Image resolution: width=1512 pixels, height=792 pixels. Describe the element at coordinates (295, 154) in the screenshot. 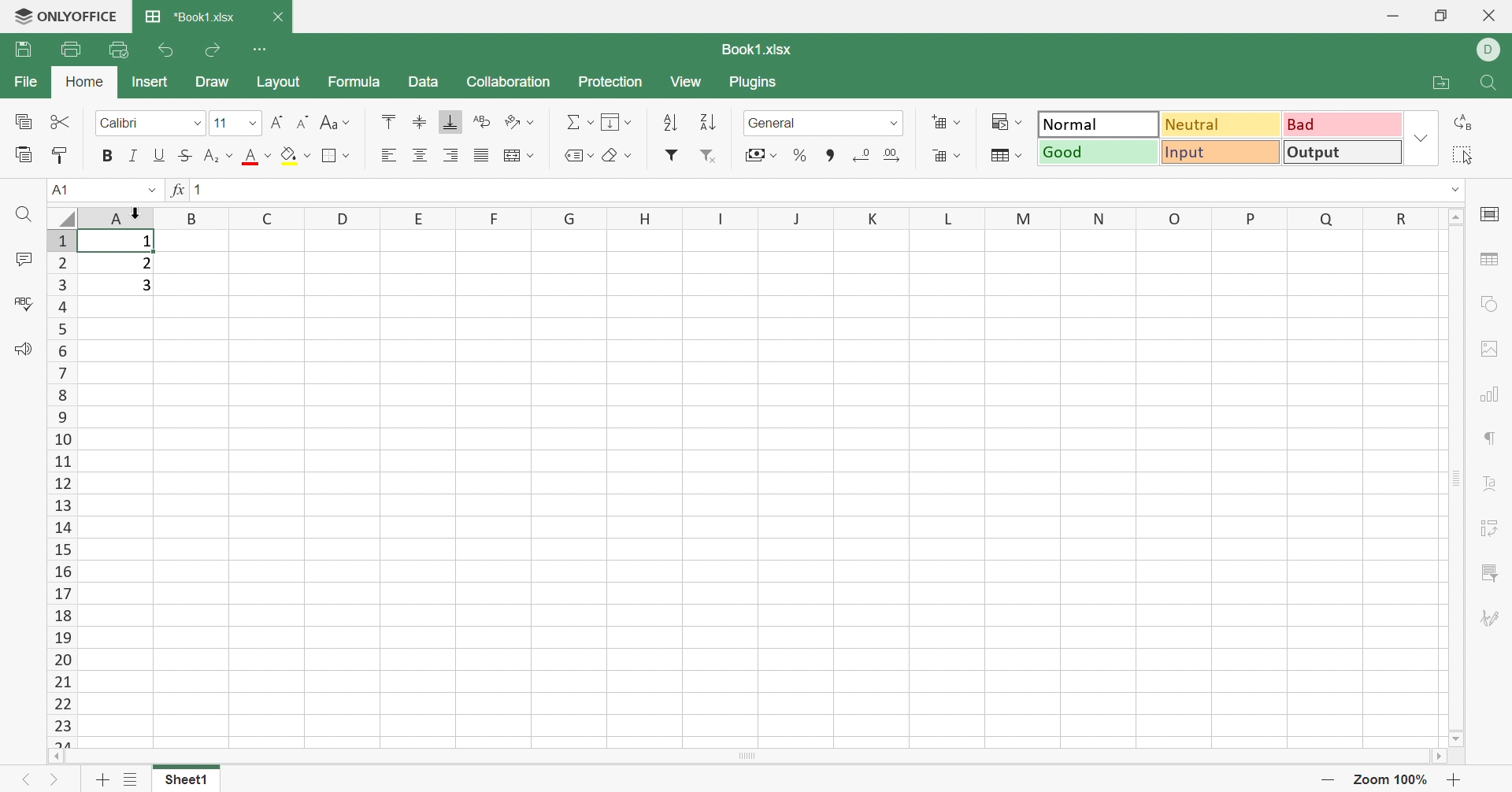

I see `Fill color` at that location.